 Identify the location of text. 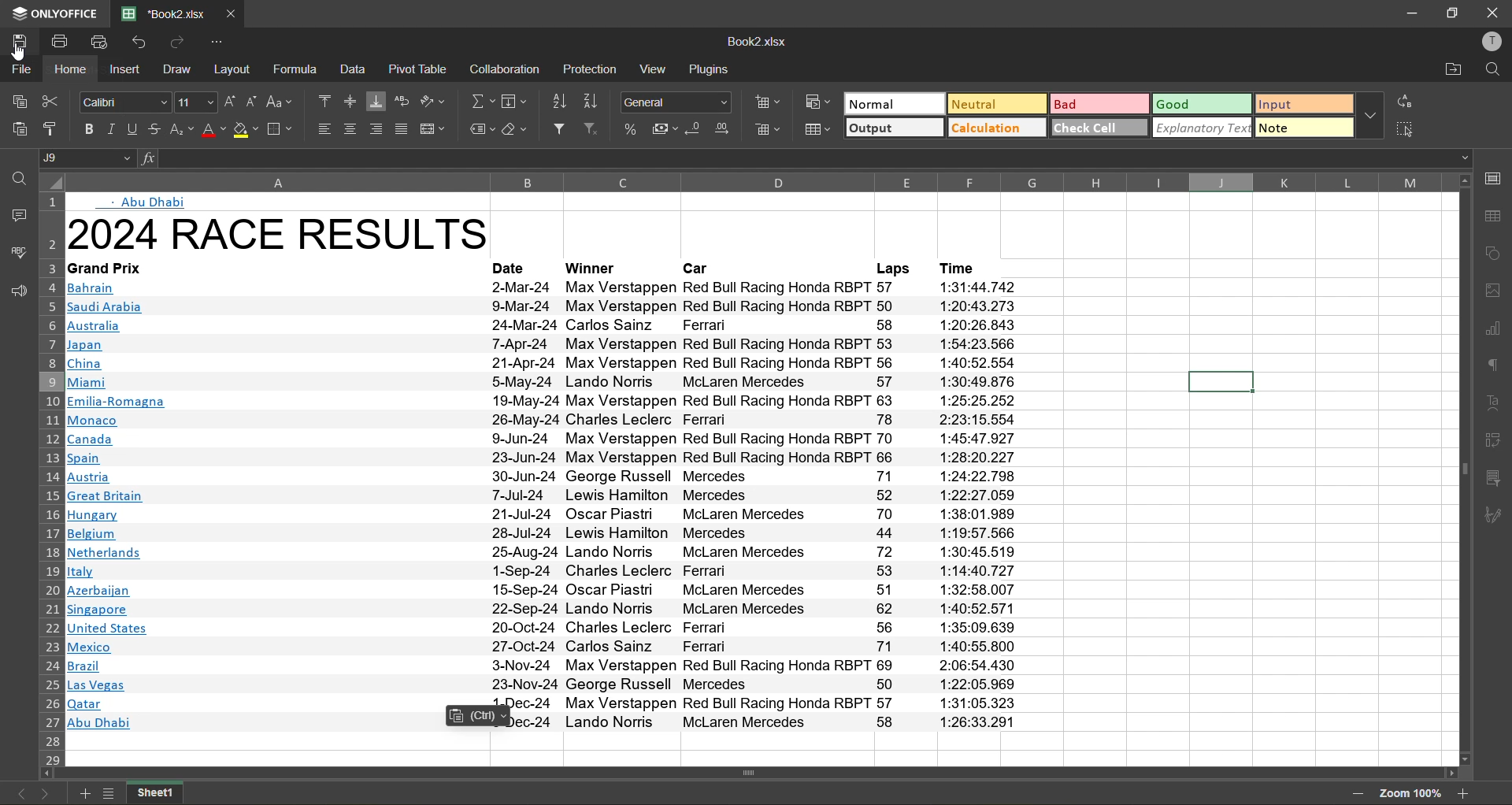
(1493, 403).